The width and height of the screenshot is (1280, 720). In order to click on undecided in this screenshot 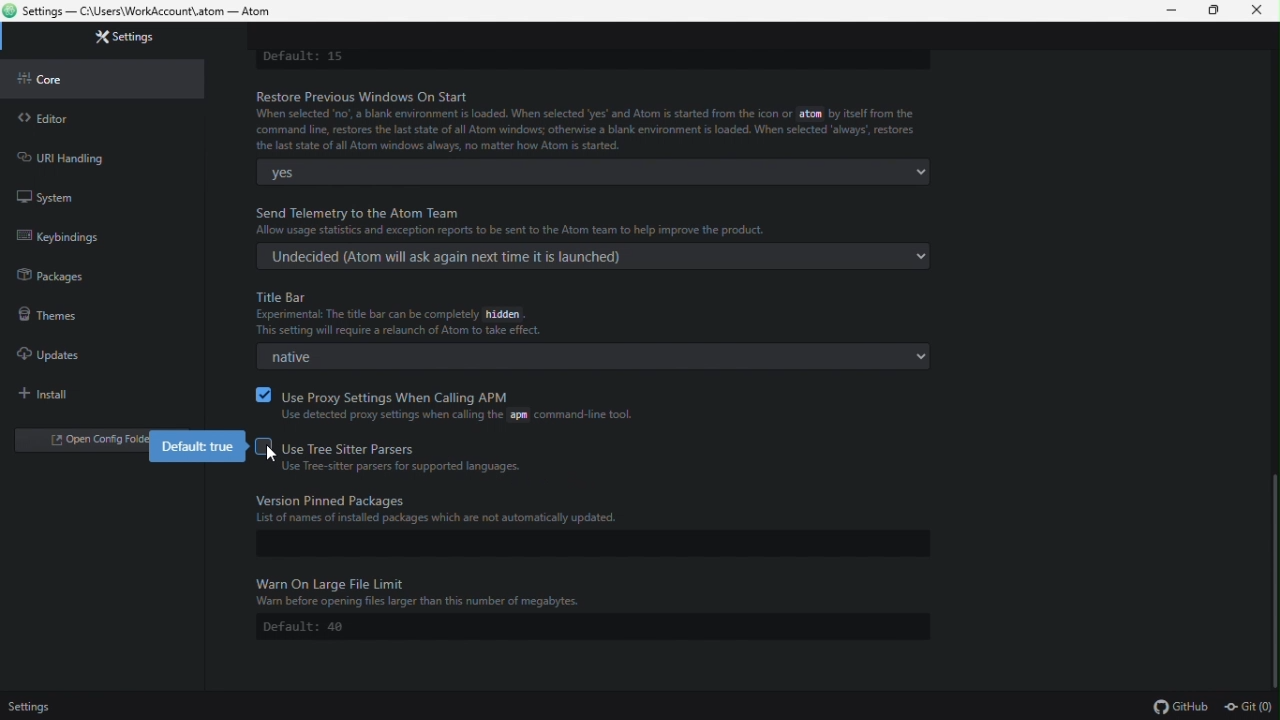, I will do `click(593, 256)`.